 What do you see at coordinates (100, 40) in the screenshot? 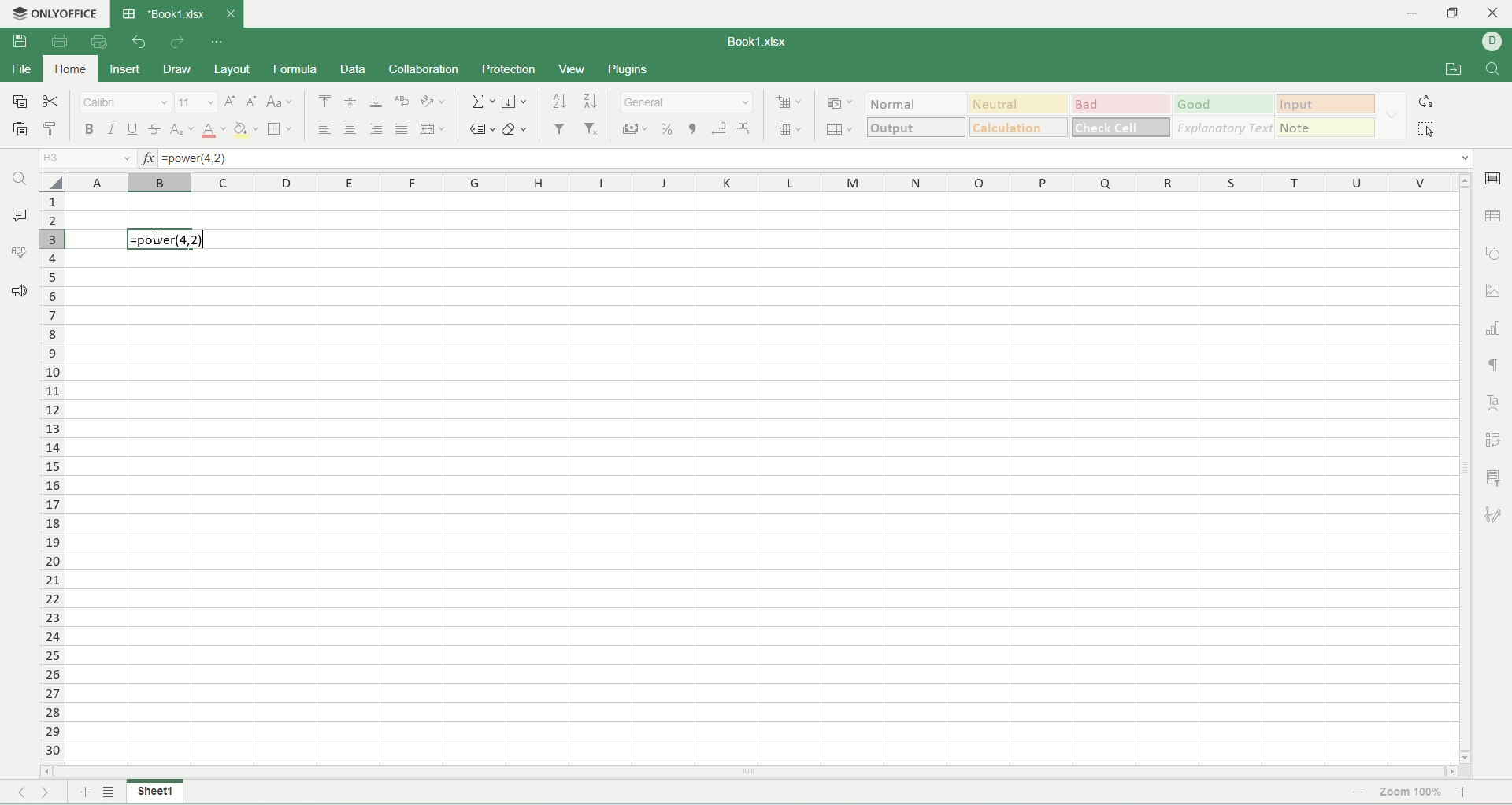
I see `quick print` at bounding box center [100, 40].